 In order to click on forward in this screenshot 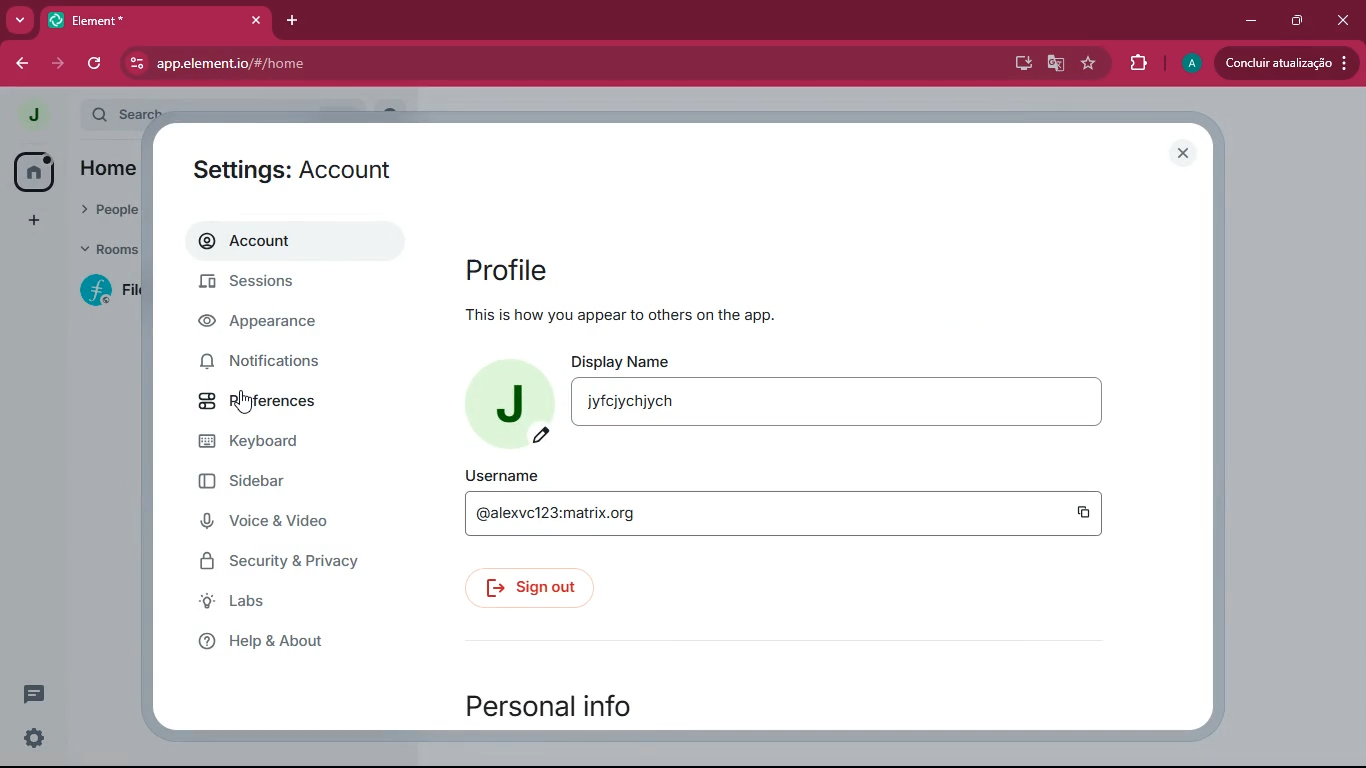, I will do `click(58, 64)`.